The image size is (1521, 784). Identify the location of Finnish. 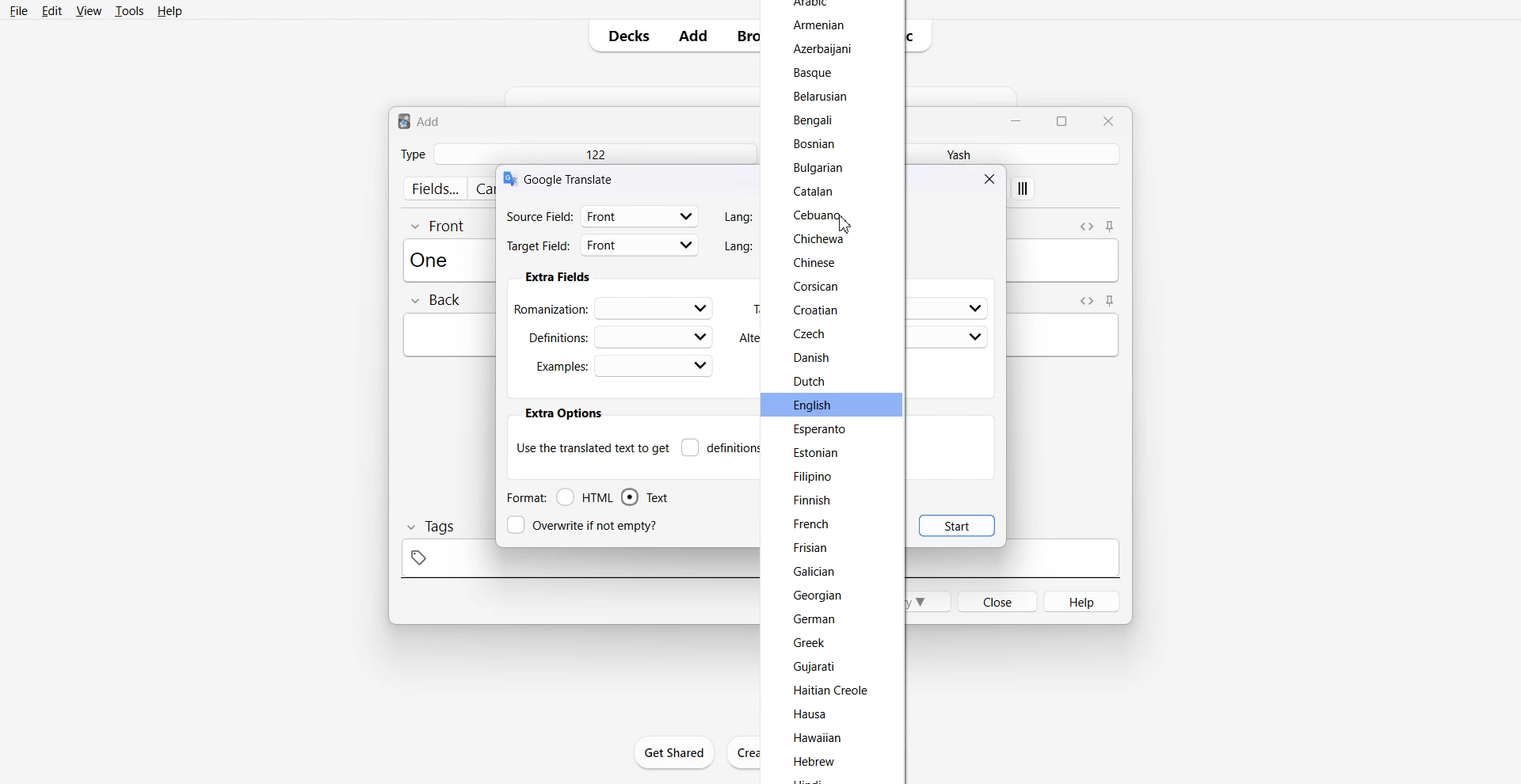
(811, 501).